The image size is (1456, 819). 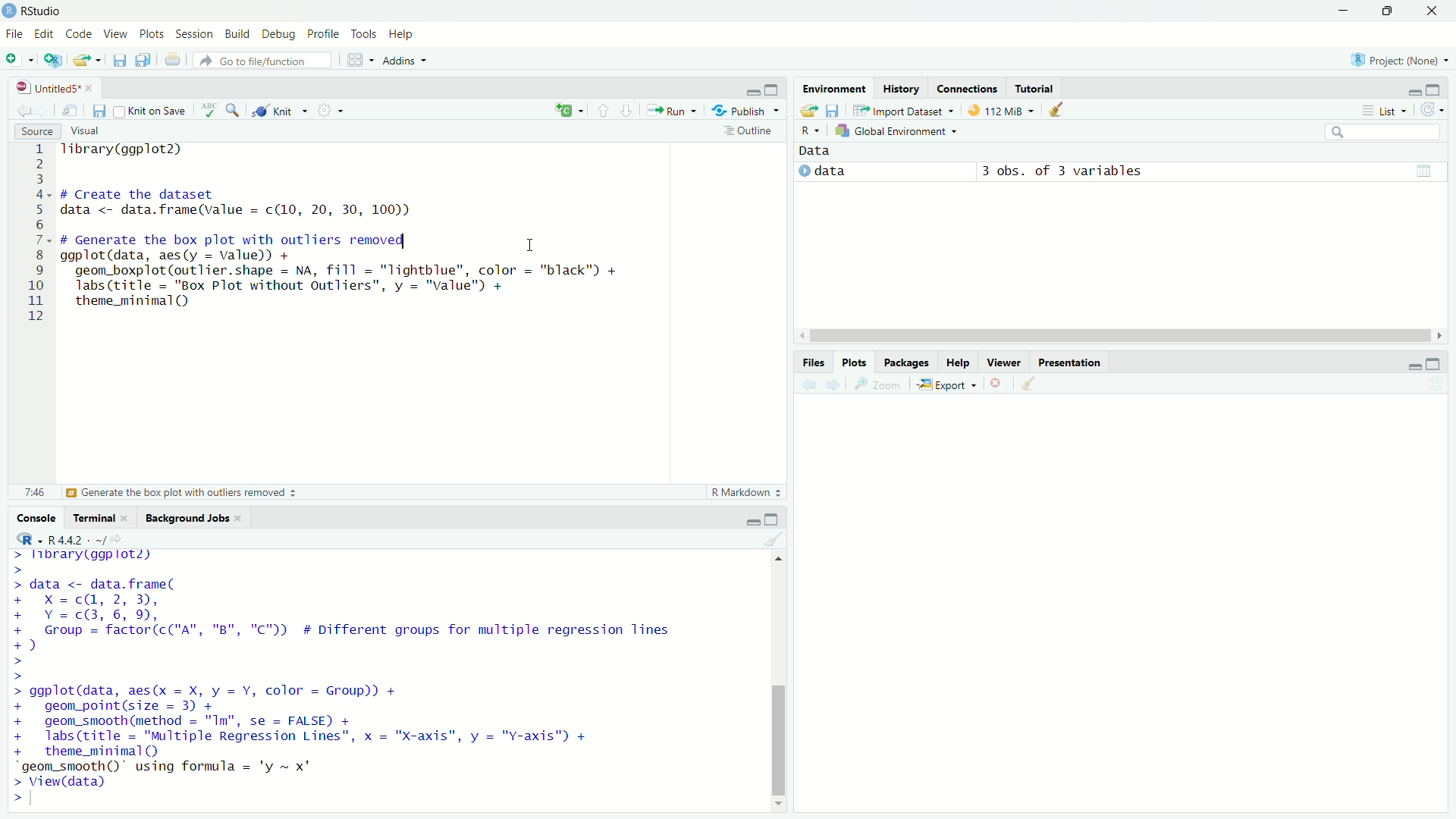 What do you see at coordinates (755, 517) in the screenshot?
I see `minimise` at bounding box center [755, 517].